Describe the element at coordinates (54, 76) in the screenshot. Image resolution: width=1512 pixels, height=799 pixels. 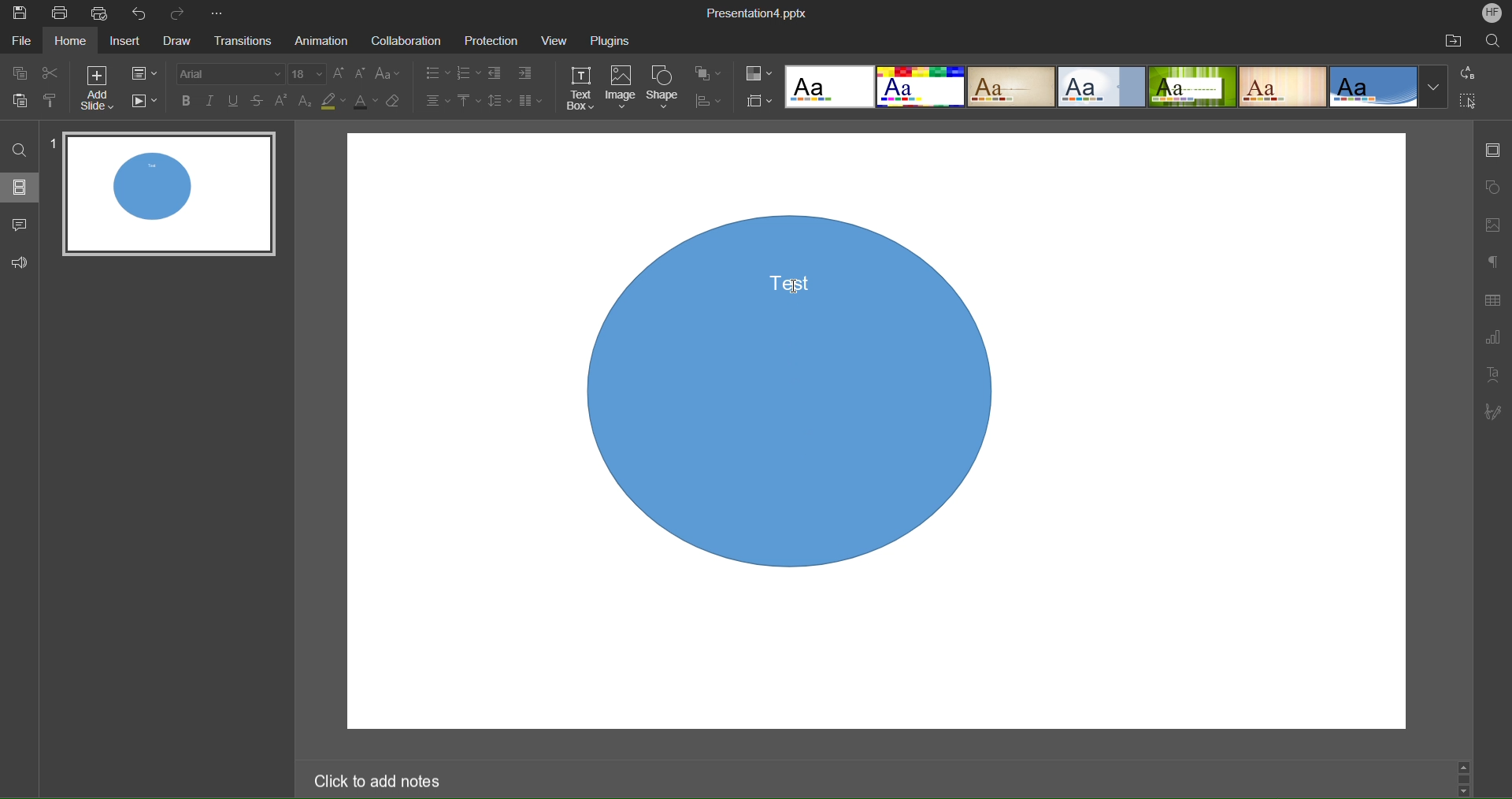
I see `Cut` at that location.